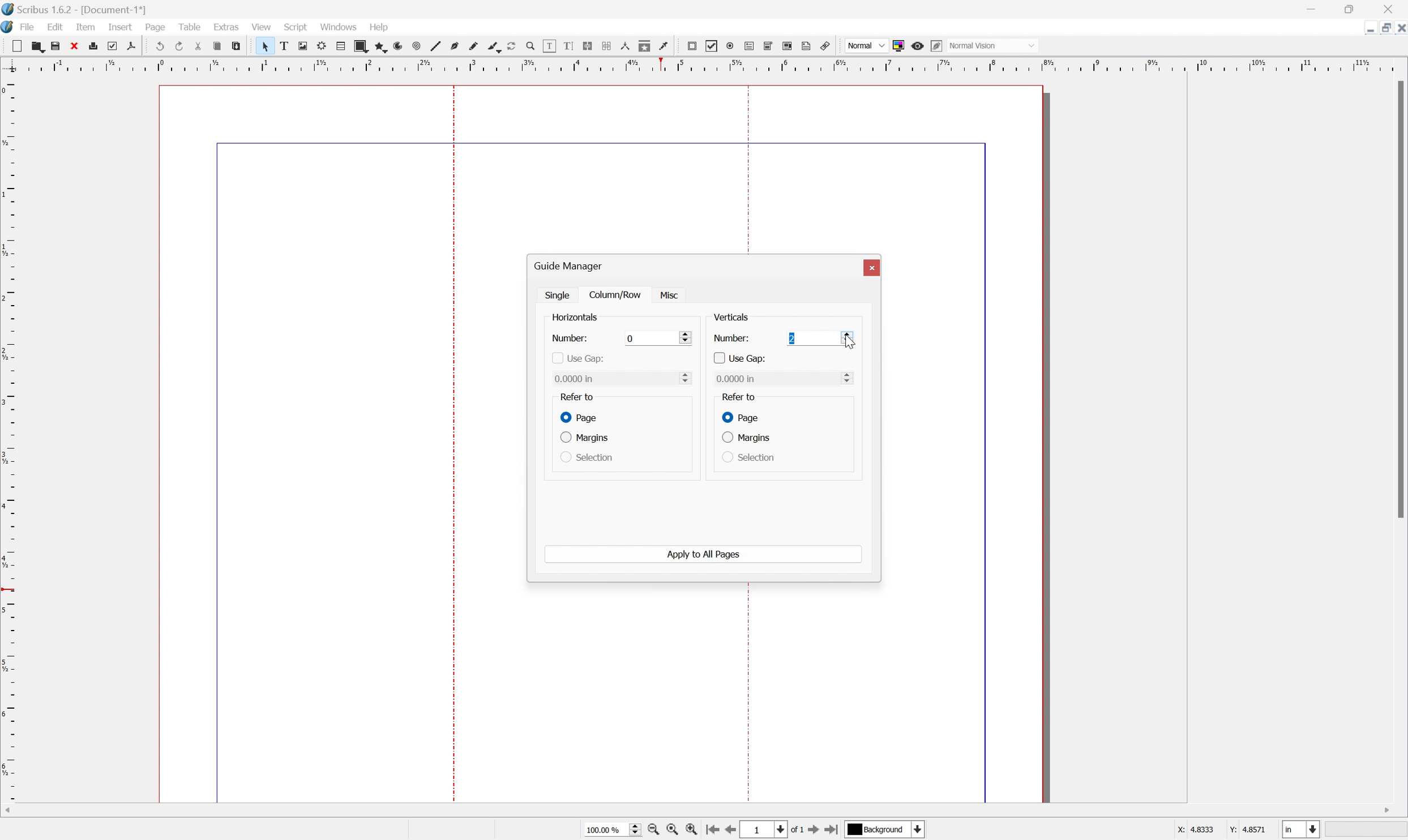 The height and width of the screenshot is (840, 1408). I want to click on preflight verifier, so click(118, 46).